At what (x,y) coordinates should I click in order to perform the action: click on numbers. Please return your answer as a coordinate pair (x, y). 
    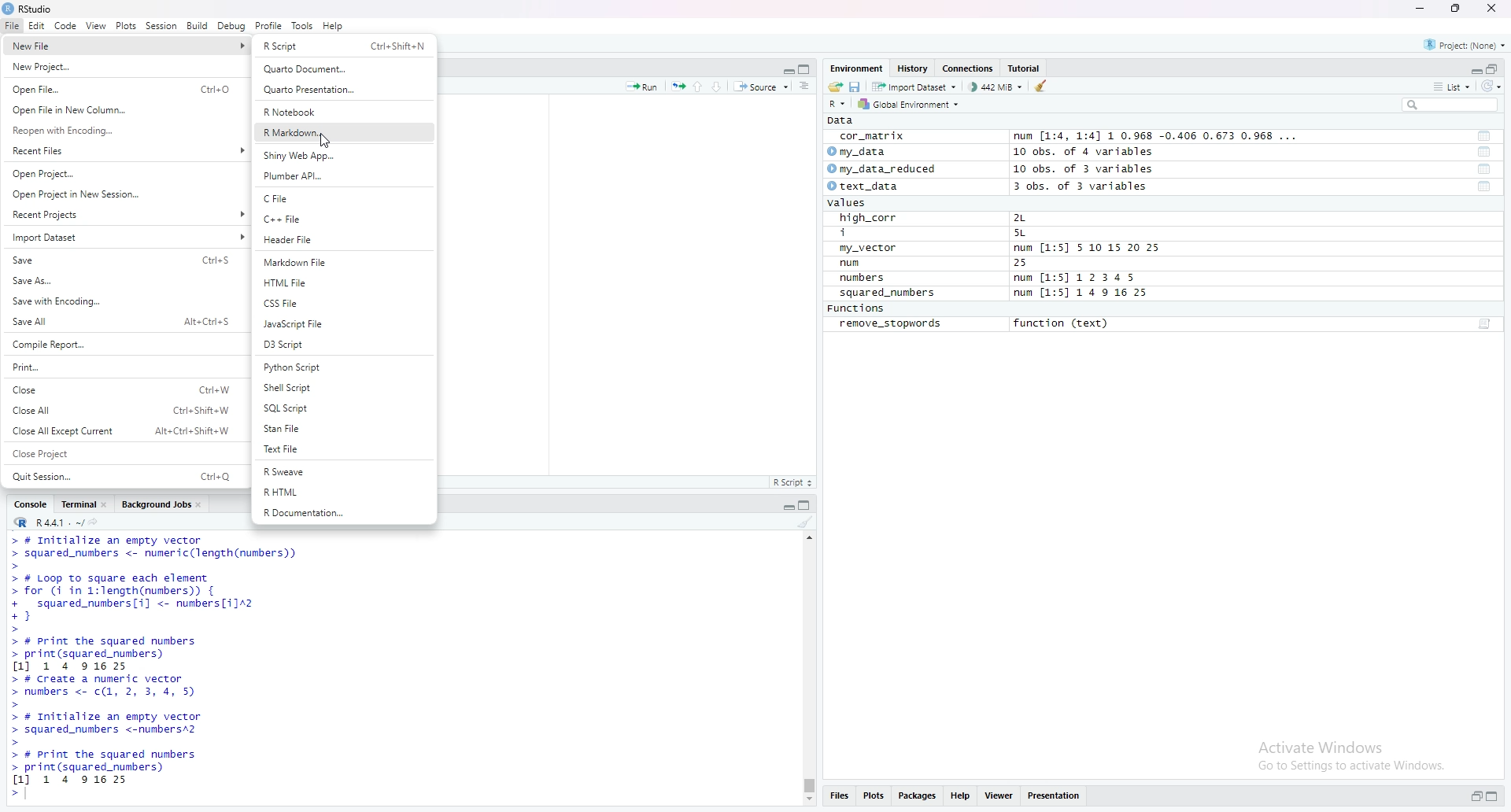
    Looking at the image, I should click on (866, 279).